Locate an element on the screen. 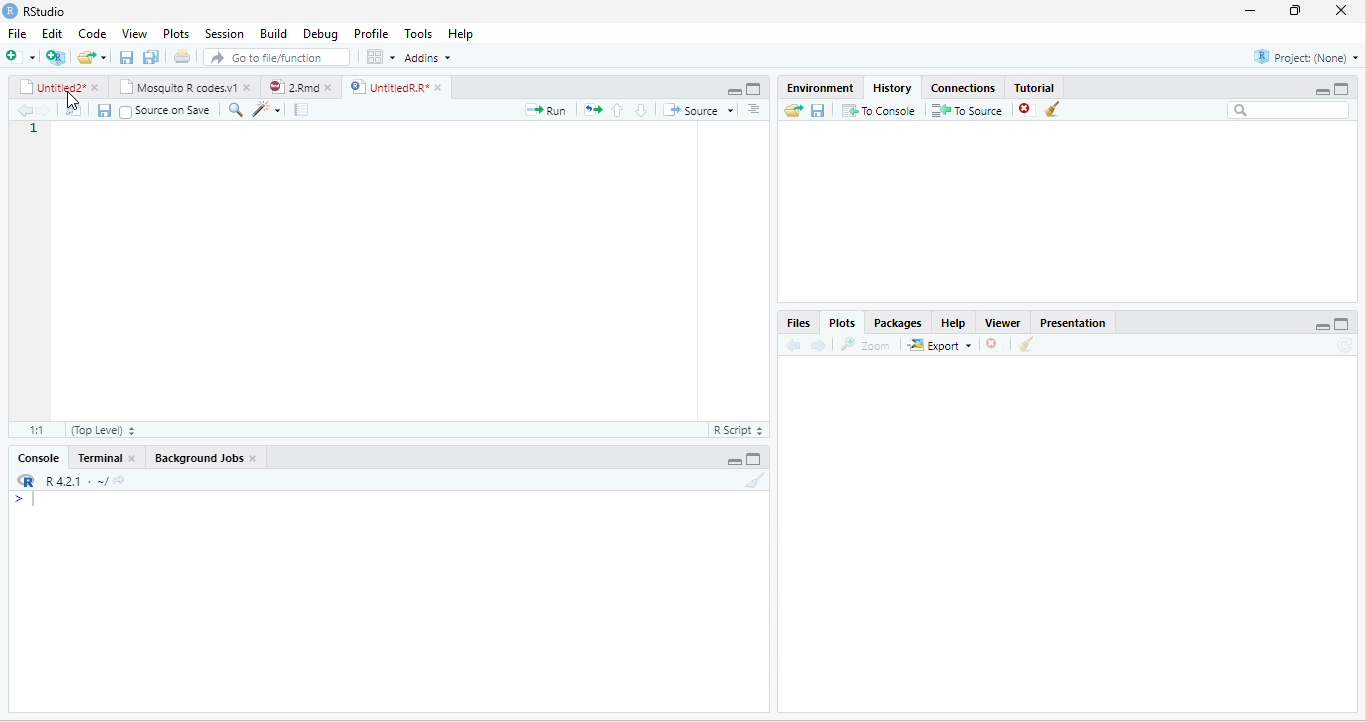 This screenshot has height=722, width=1366.  is located at coordinates (762, 109).